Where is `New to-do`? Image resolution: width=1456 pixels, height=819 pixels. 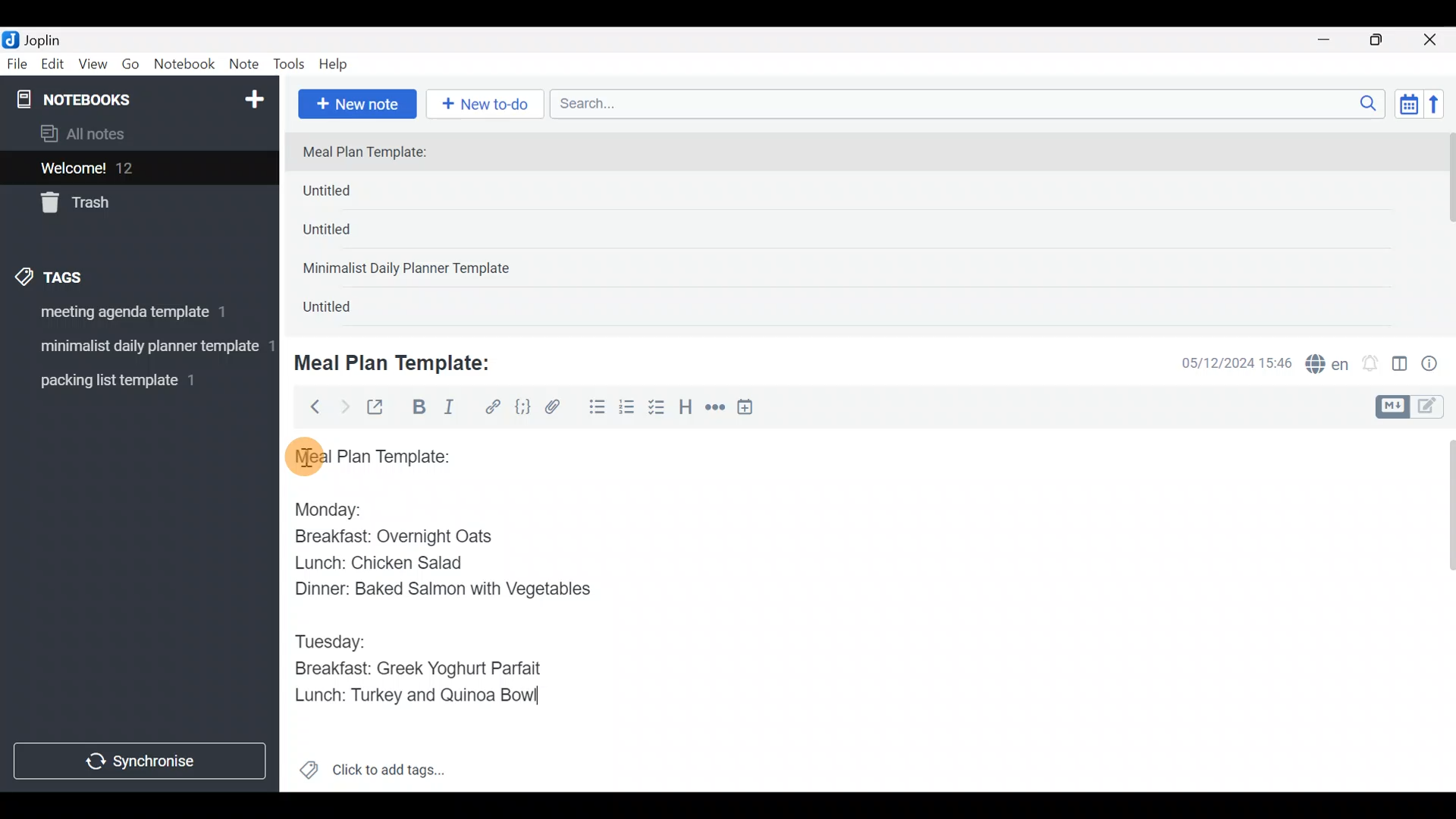
New to-do is located at coordinates (488, 105).